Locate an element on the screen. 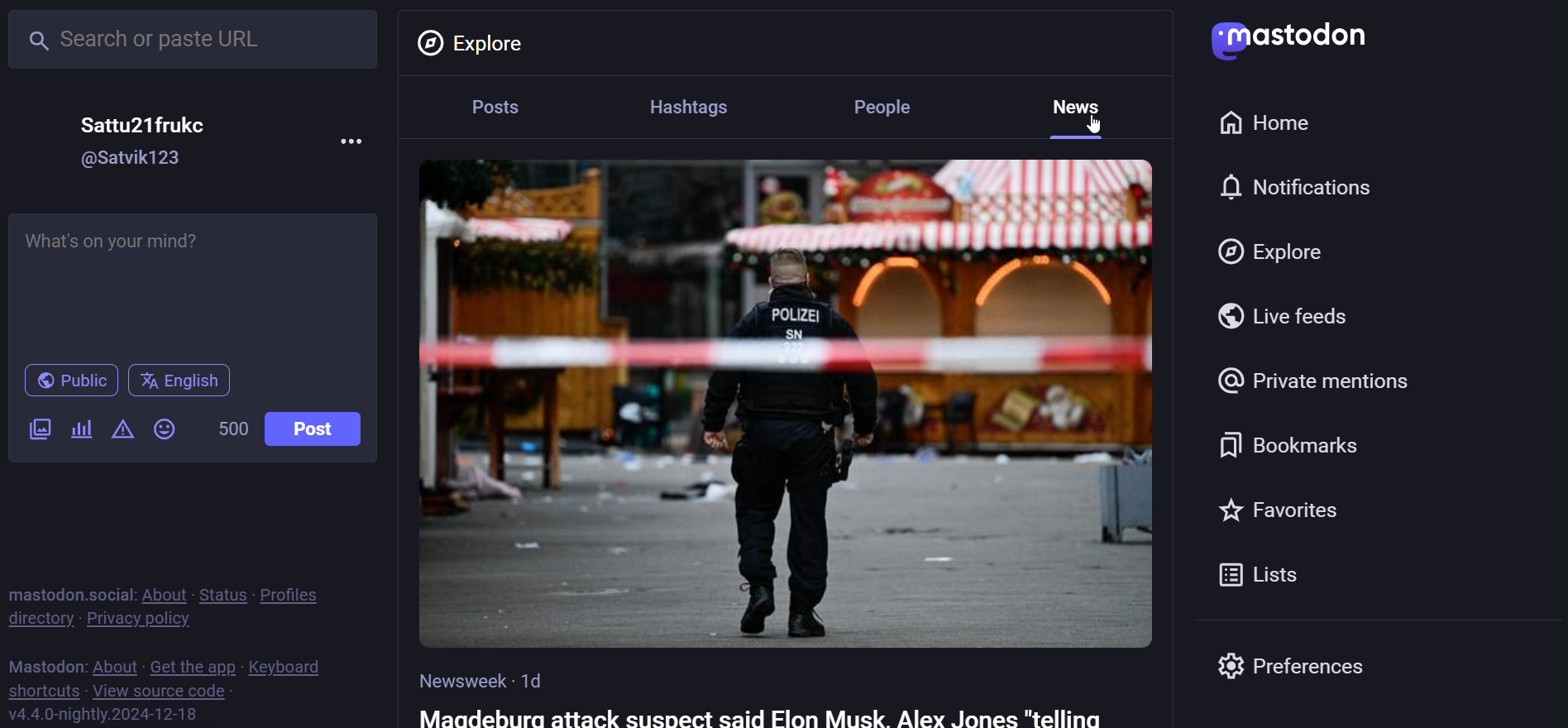  people is located at coordinates (890, 106).